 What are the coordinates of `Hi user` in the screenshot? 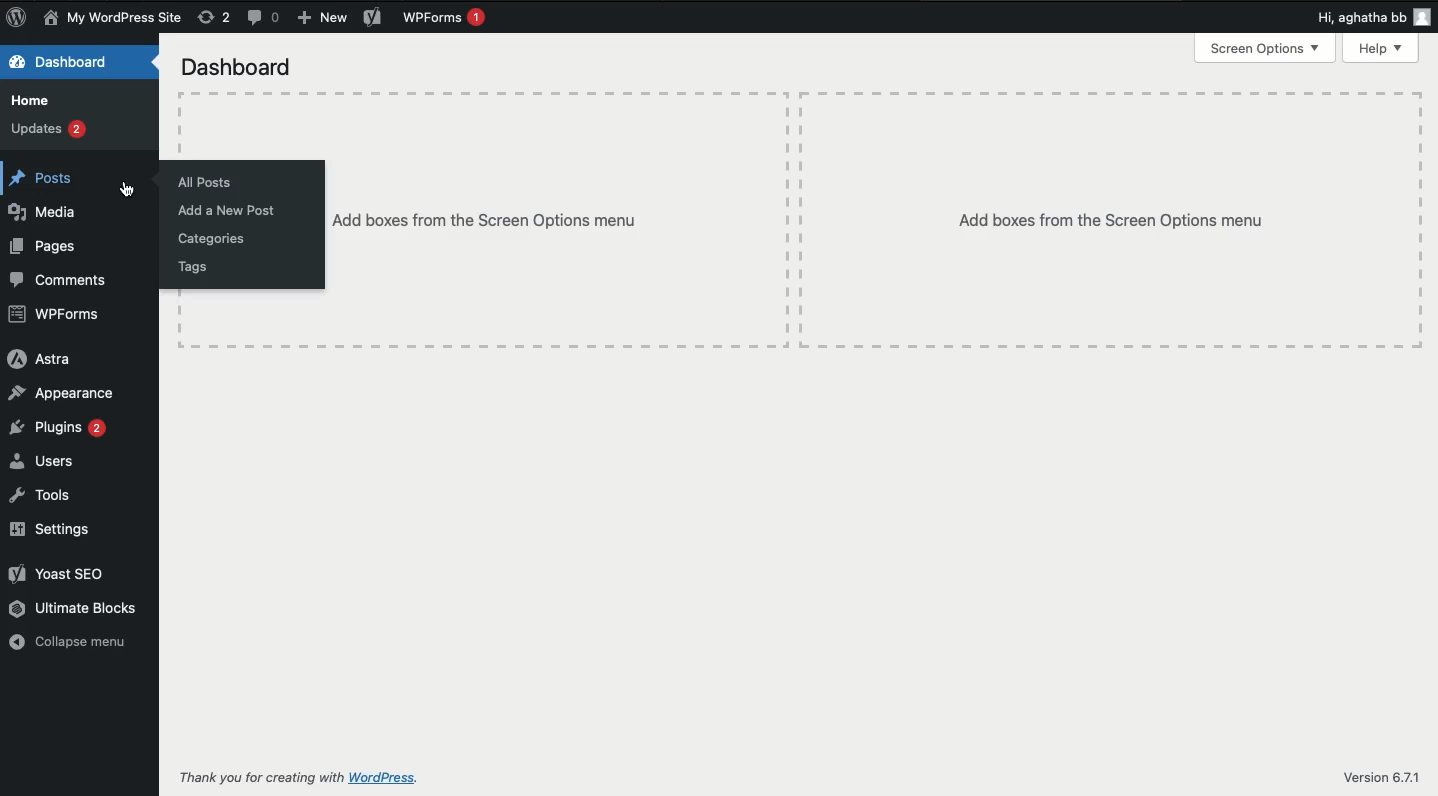 It's located at (1370, 17).